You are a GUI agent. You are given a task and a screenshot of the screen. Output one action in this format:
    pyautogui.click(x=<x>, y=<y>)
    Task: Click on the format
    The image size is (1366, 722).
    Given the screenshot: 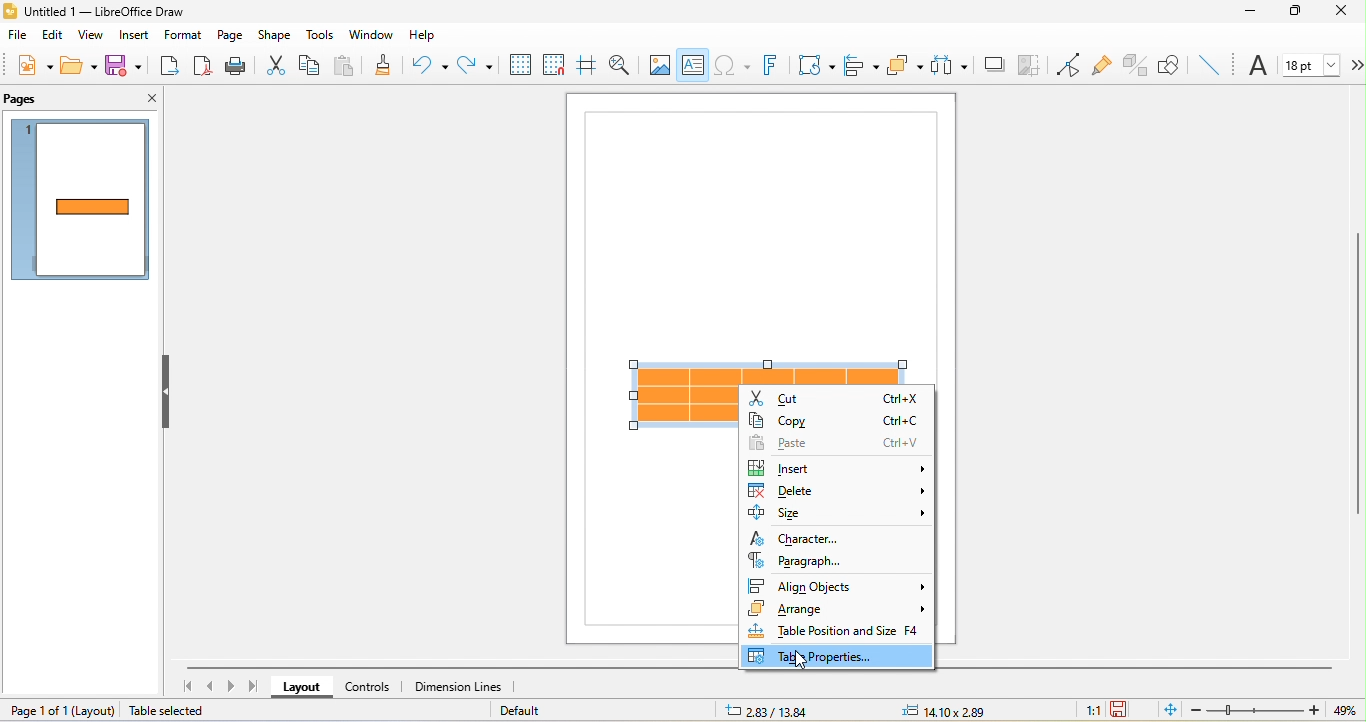 What is the action you would take?
    pyautogui.click(x=185, y=35)
    